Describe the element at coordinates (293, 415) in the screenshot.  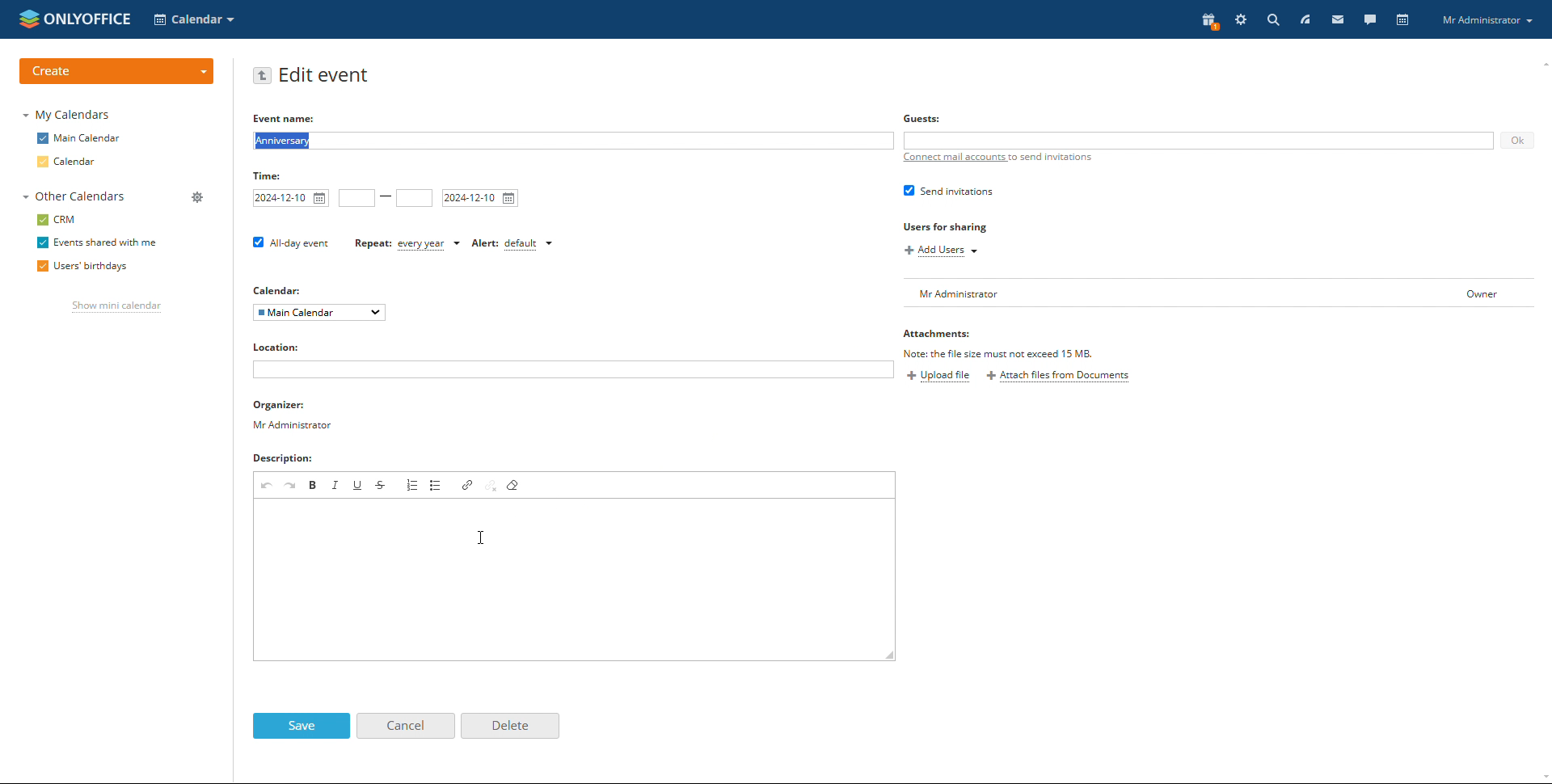
I see `organizer` at that location.